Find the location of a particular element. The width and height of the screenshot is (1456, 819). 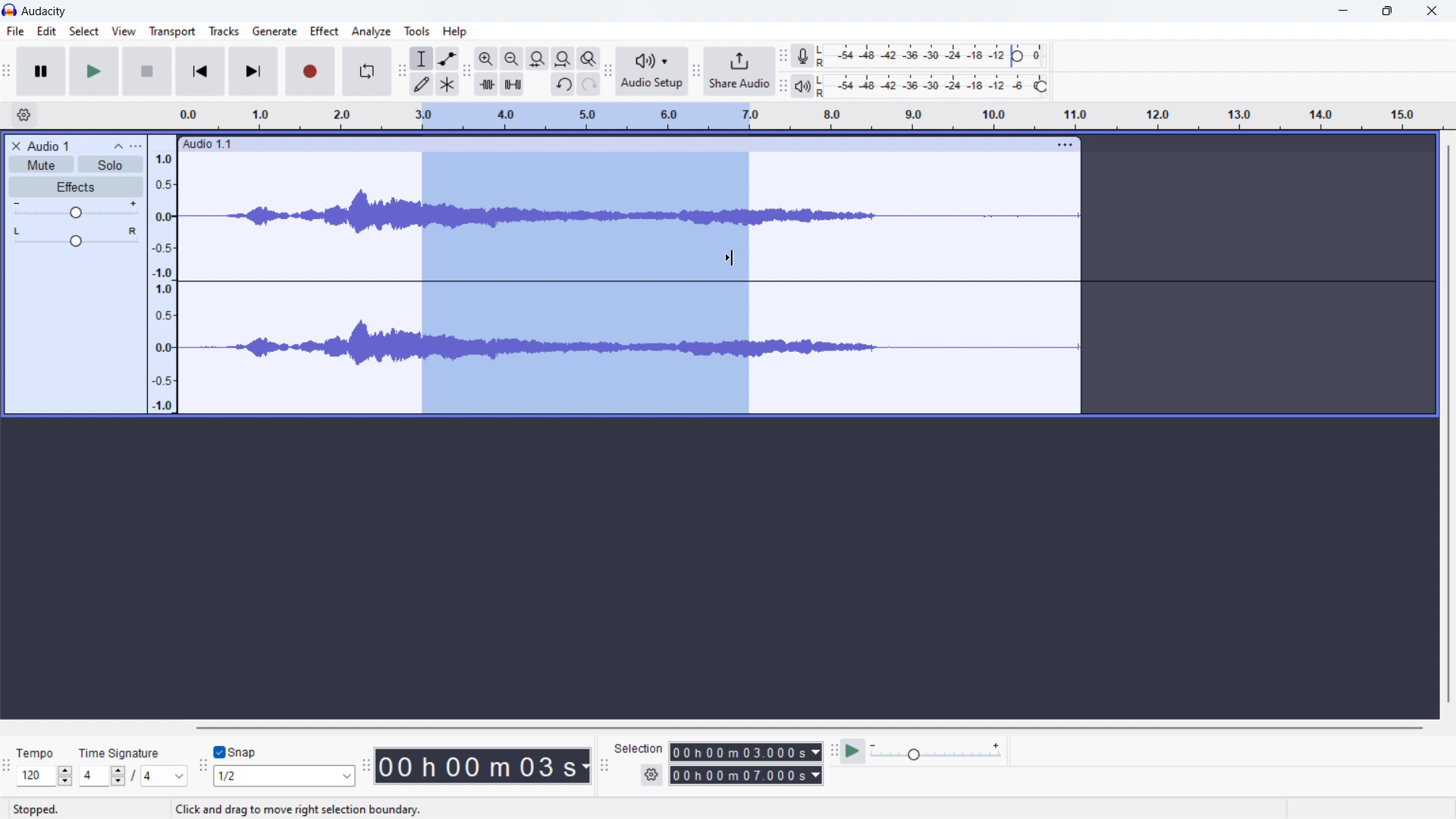

selection tool is located at coordinates (423, 58).